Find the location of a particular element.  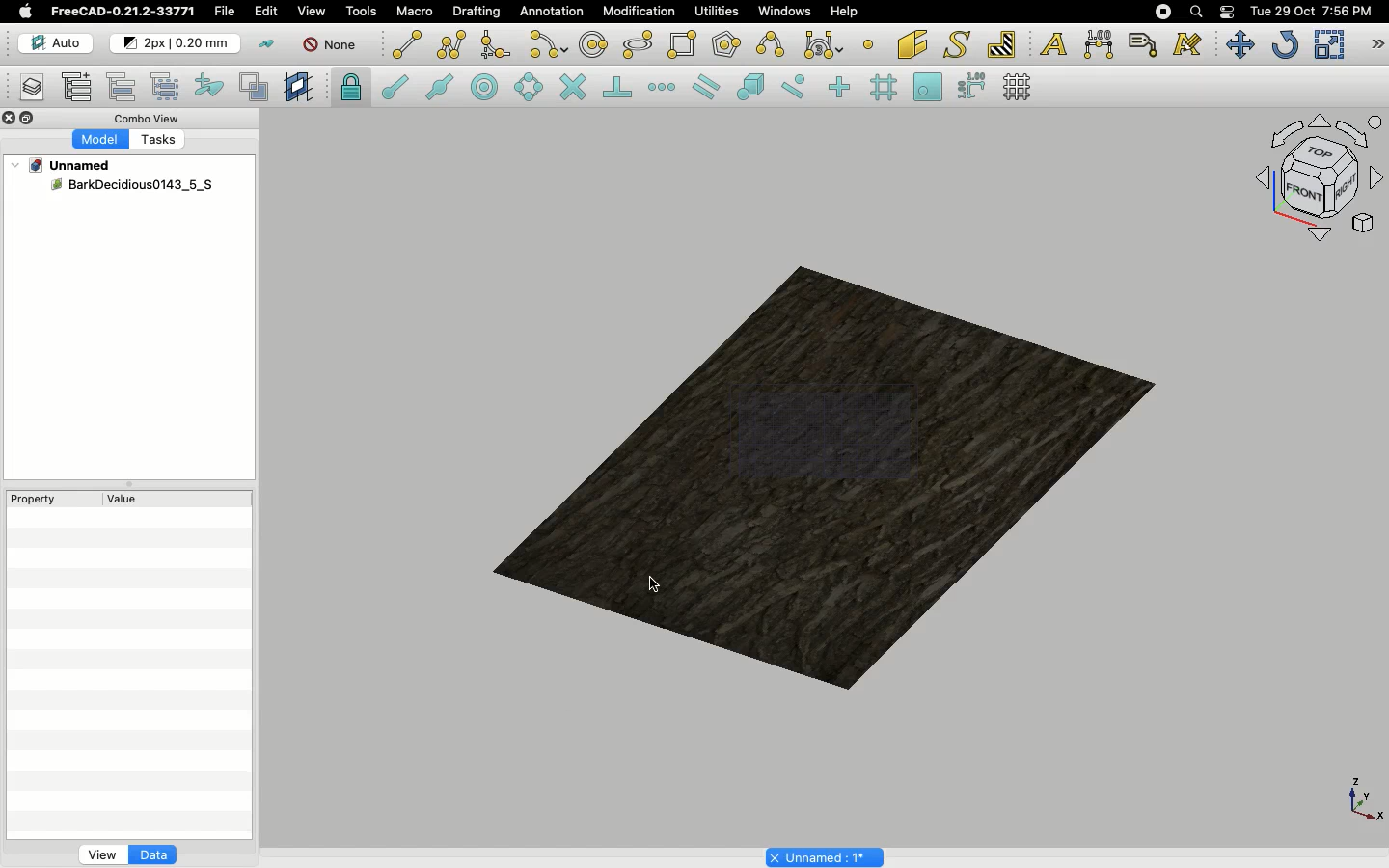

Windows is located at coordinates (787, 13).